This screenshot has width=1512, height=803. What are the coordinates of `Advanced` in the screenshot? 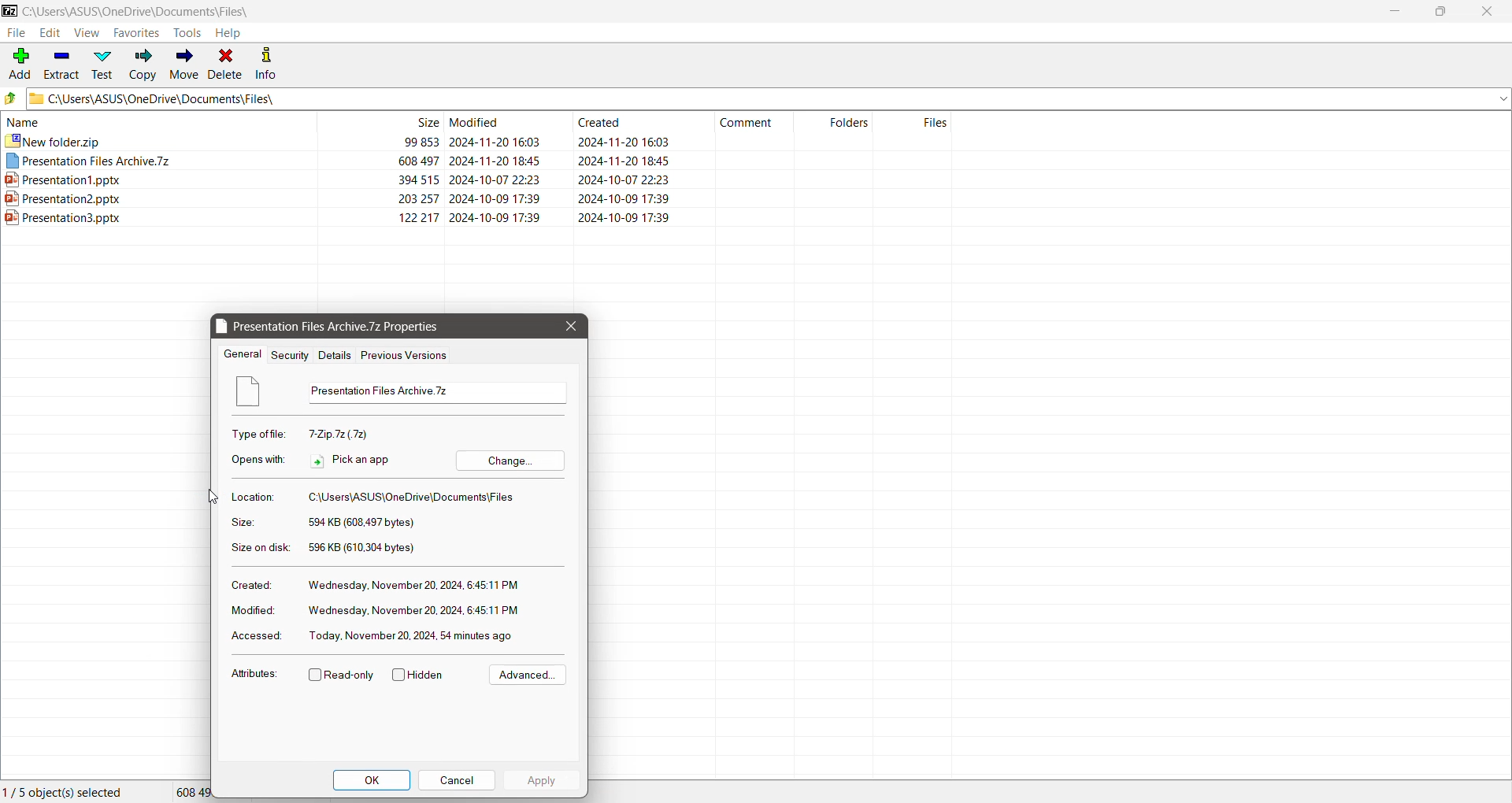 It's located at (530, 674).